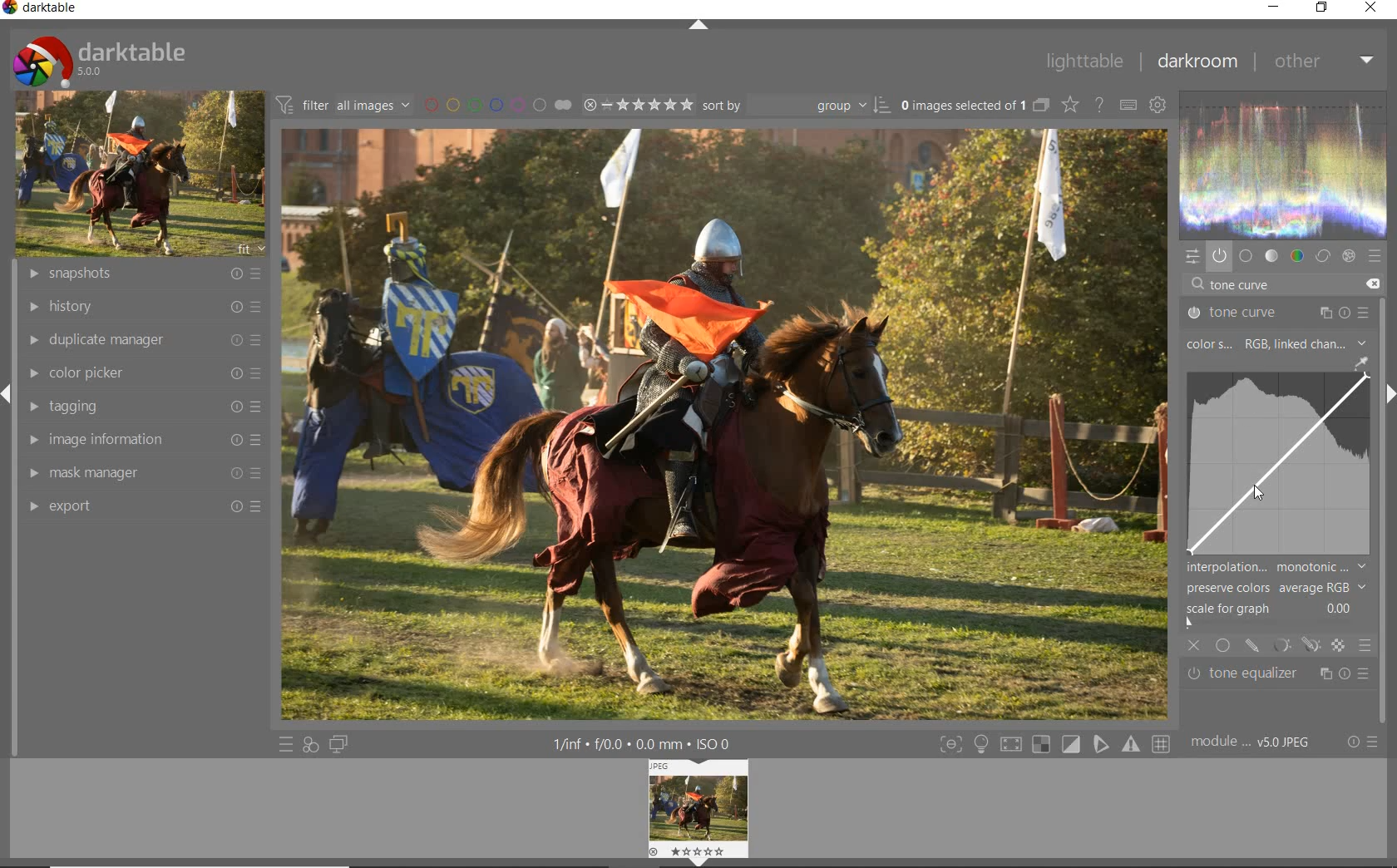 The height and width of the screenshot is (868, 1397). Describe the element at coordinates (1323, 61) in the screenshot. I see `other` at that location.